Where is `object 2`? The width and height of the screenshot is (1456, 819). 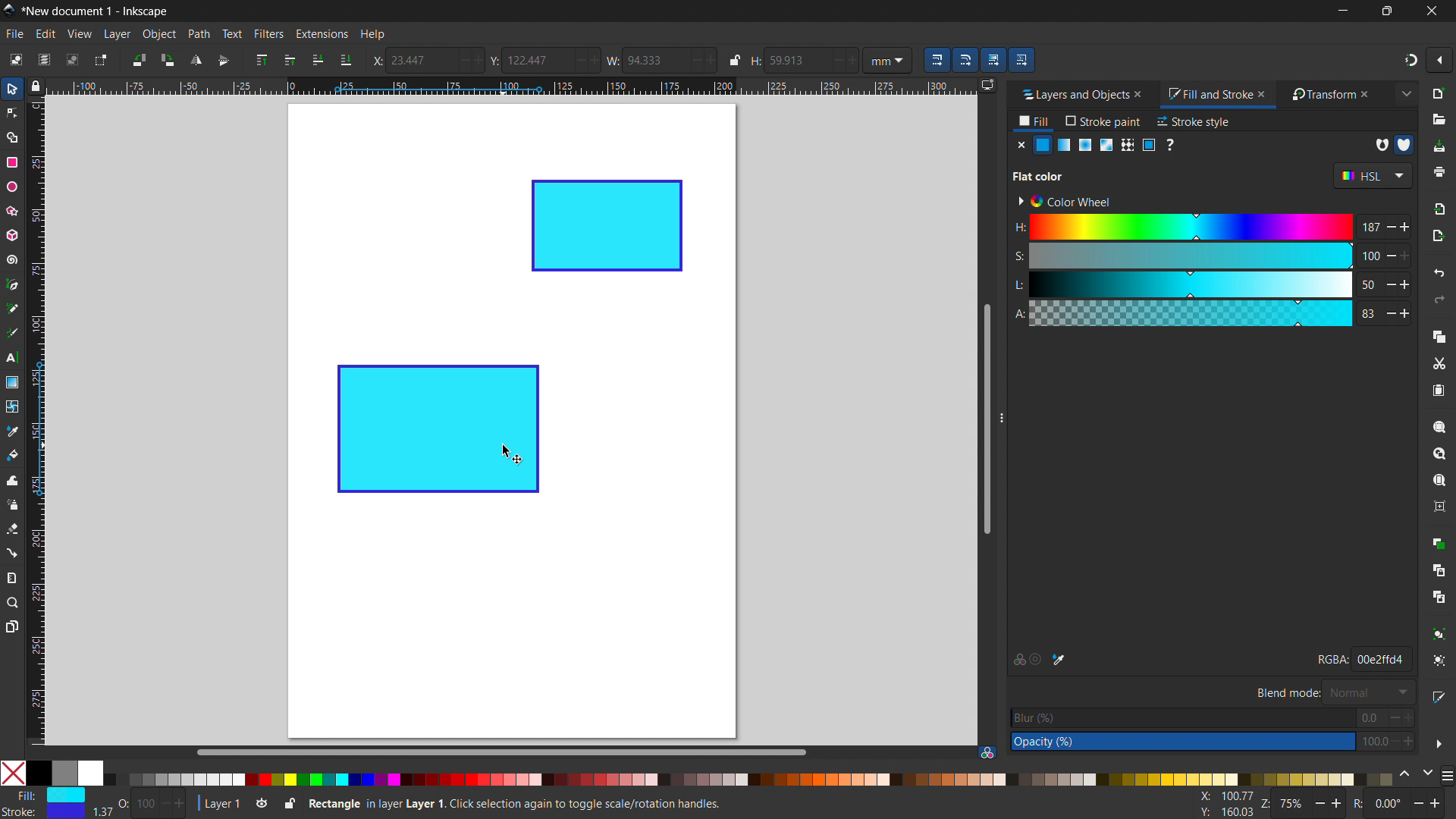 object 2 is located at coordinates (607, 226).